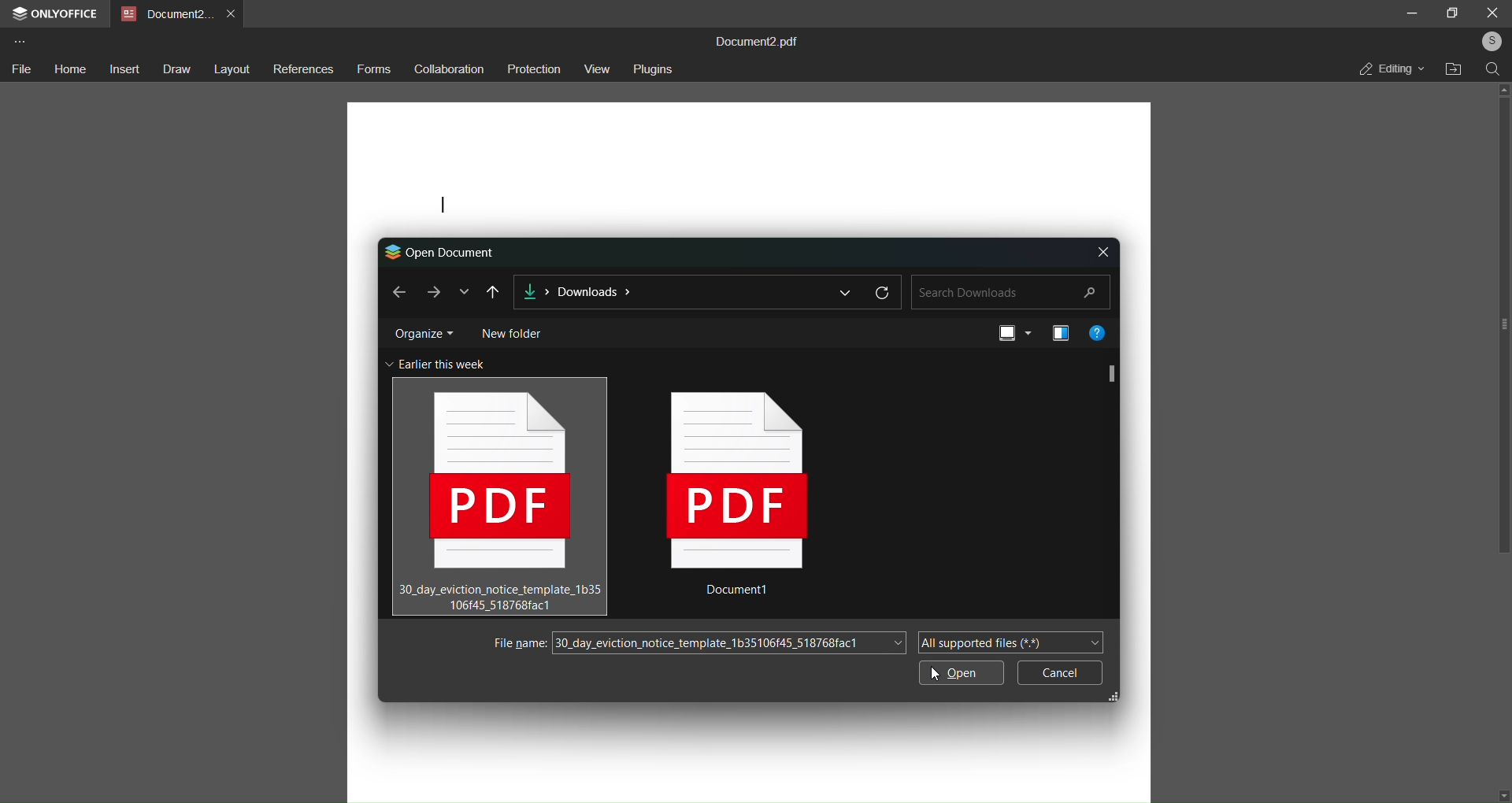  Describe the element at coordinates (517, 643) in the screenshot. I see `file name` at that location.